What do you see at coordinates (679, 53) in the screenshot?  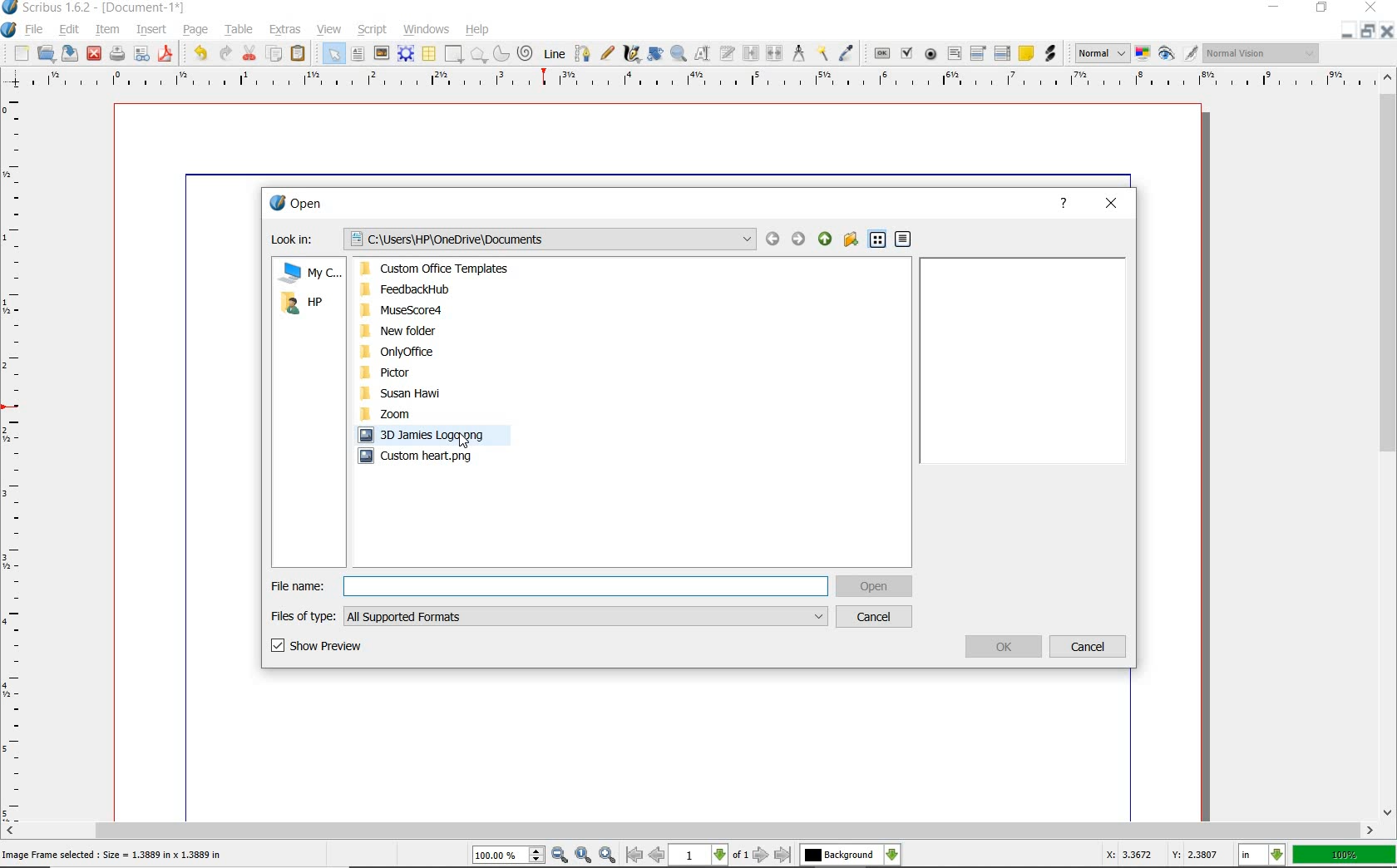 I see `zoom in or zoom out` at bounding box center [679, 53].